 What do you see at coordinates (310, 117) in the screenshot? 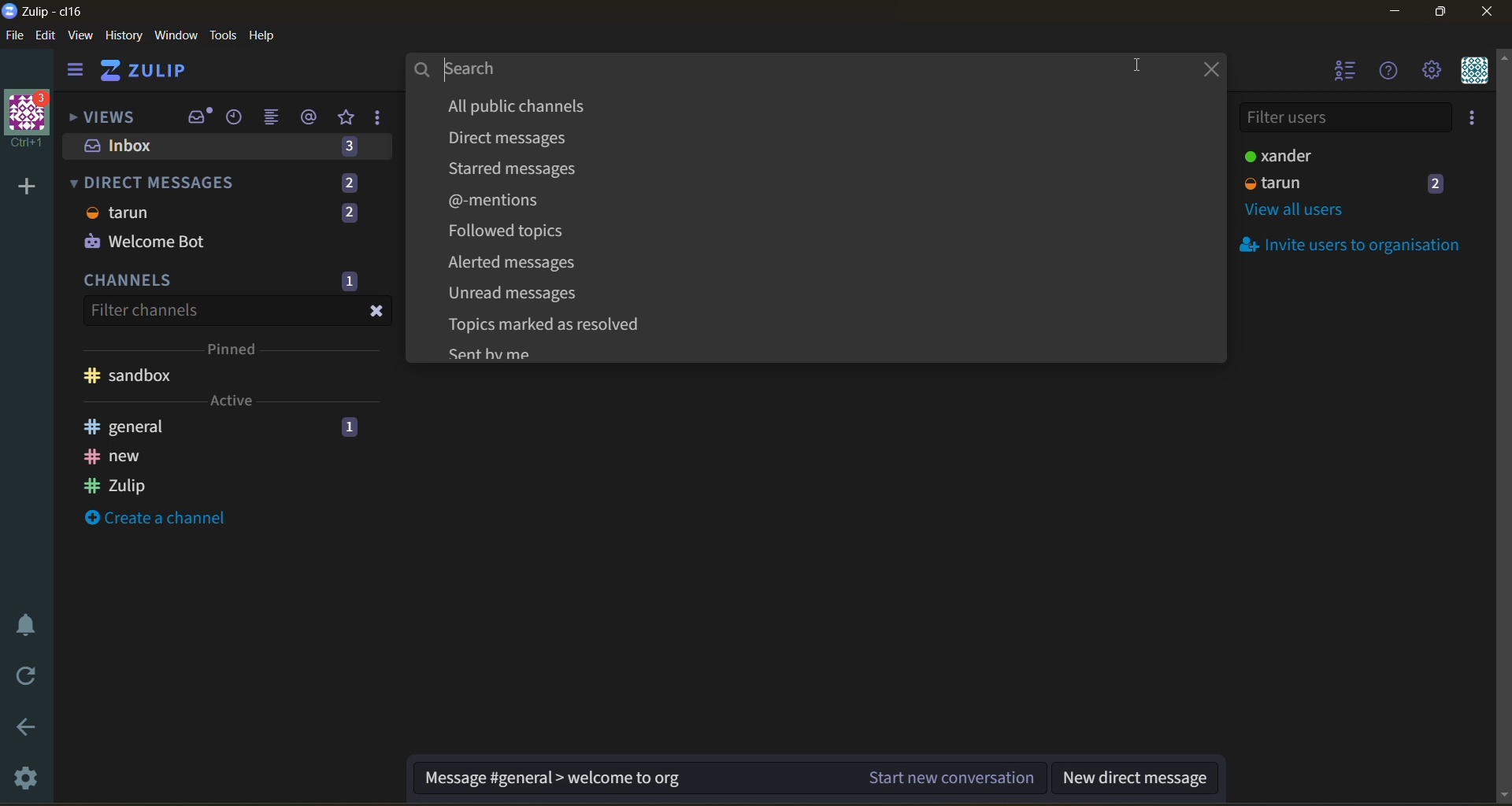
I see `mentions` at bounding box center [310, 117].